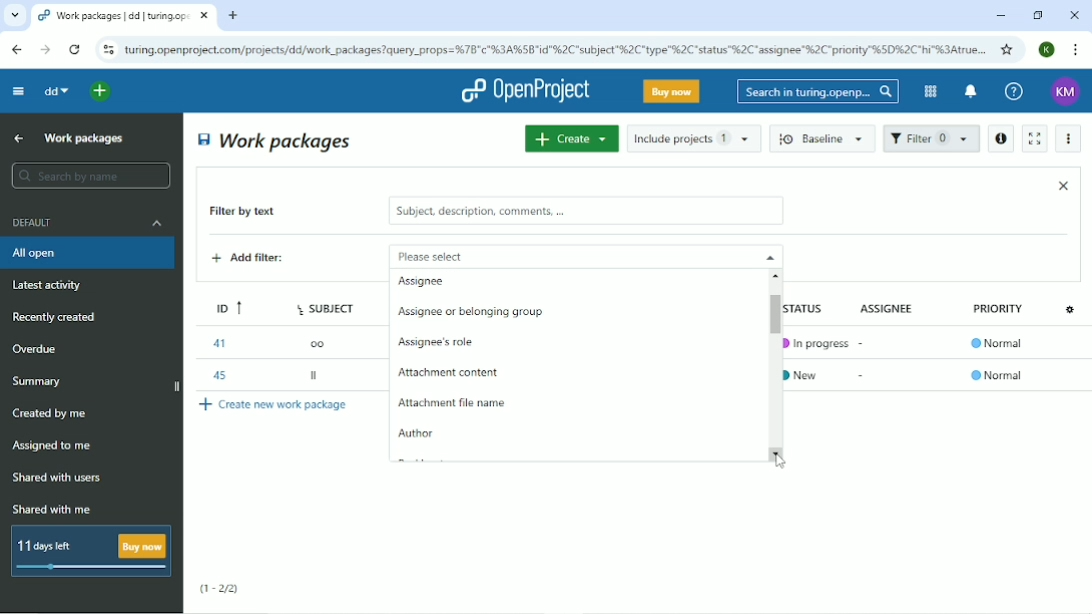 The height and width of the screenshot is (614, 1092). Describe the element at coordinates (1072, 308) in the screenshot. I see `Configure view` at that location.